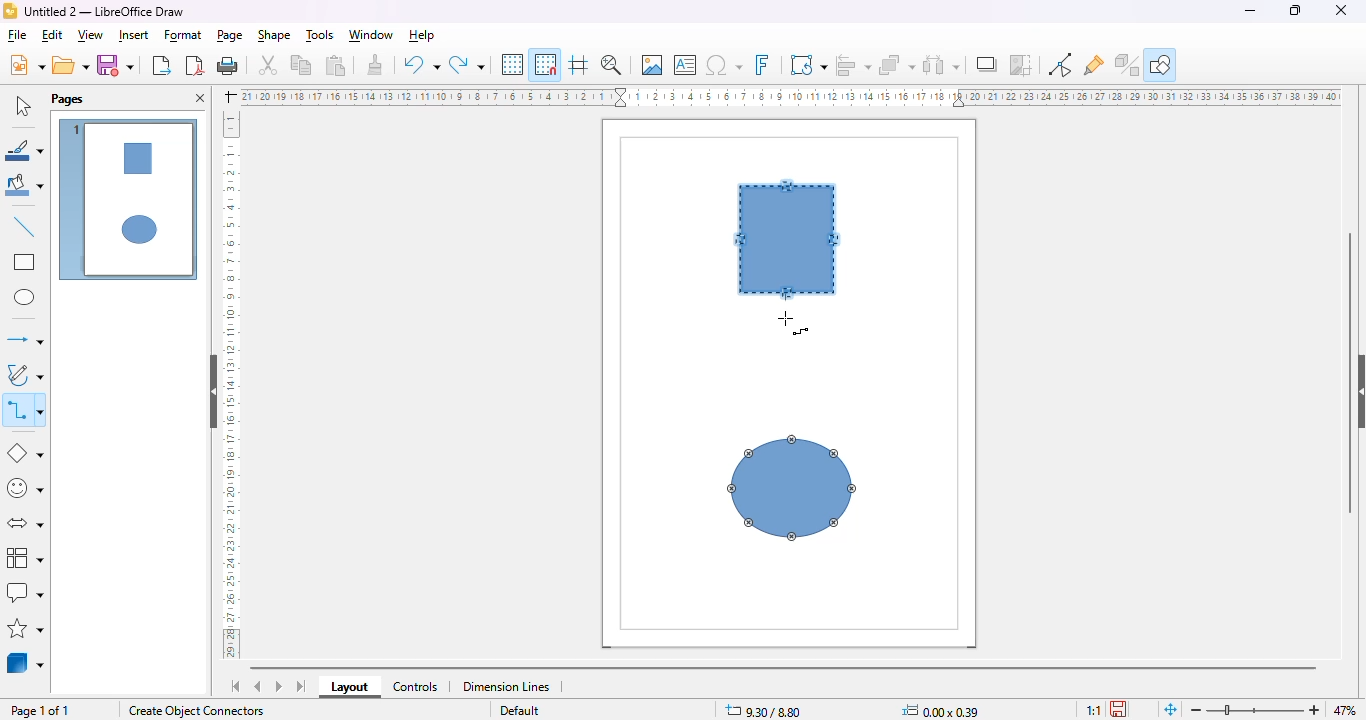 This screenshot has height=720, width=1366. I want to click on insert fontwork text, so click(762, 64).